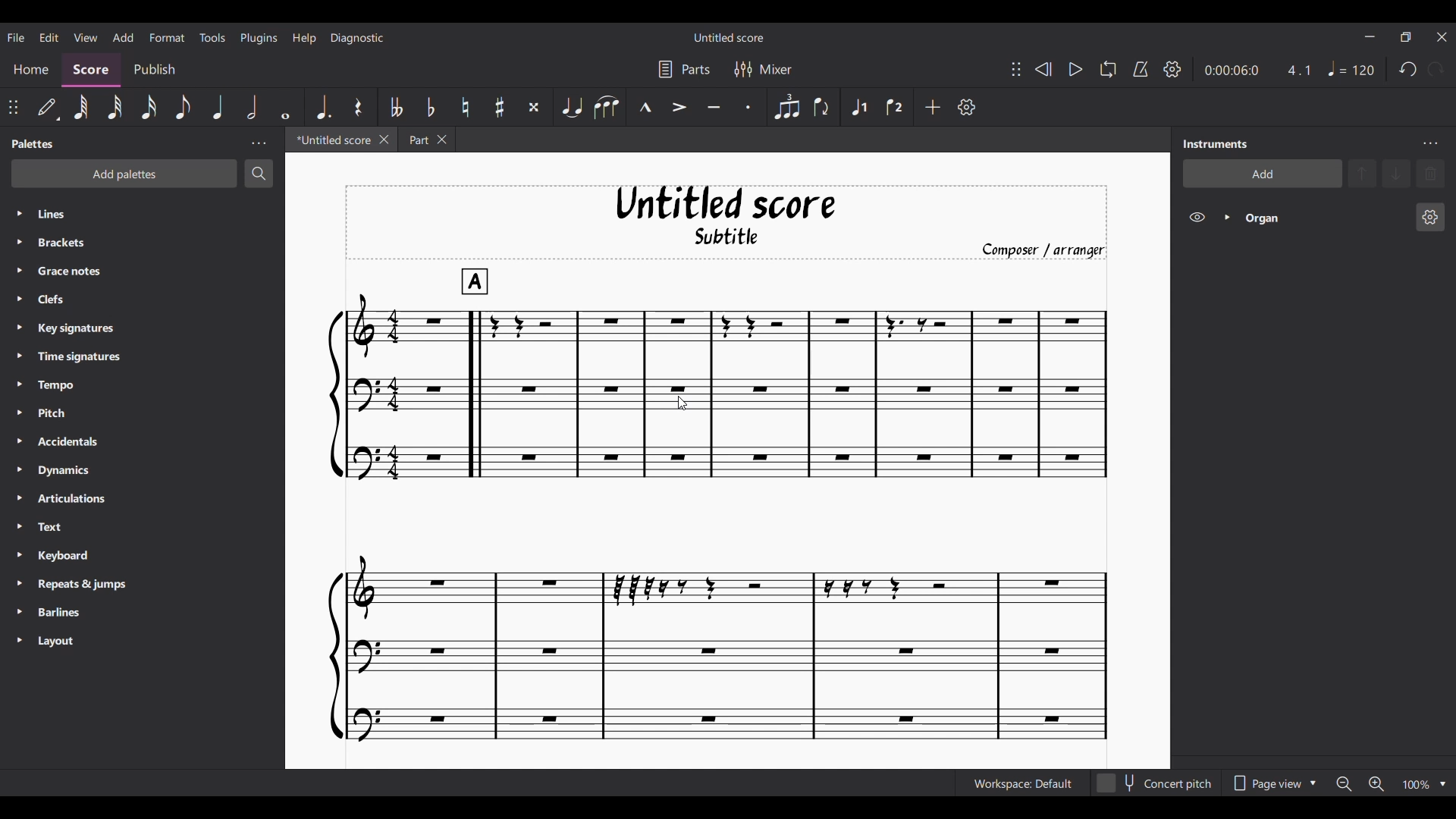  What do you see at coordinates (325, 106) in the screenshot?
I see `Augmentation dot` at bounding box center [325, 106].